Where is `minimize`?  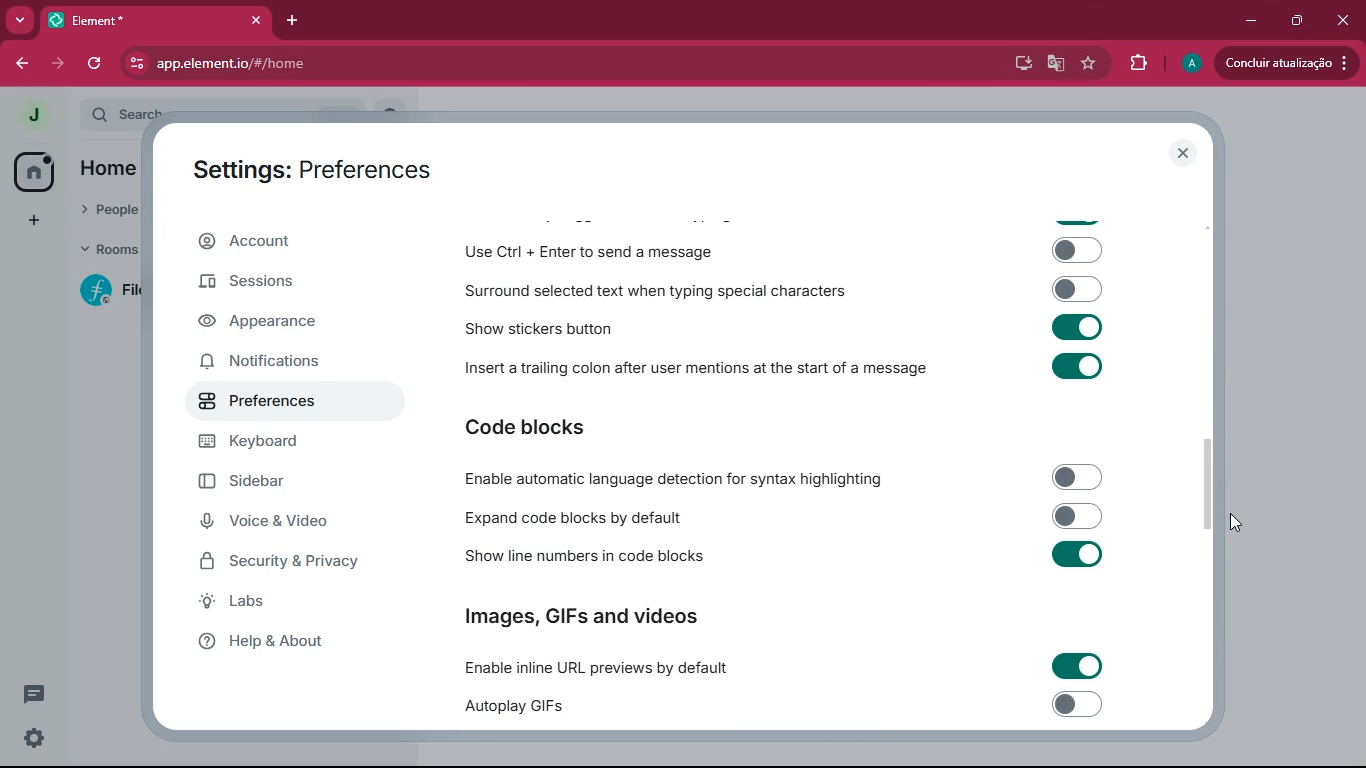 minimize is located at coordinates (1253, 22).